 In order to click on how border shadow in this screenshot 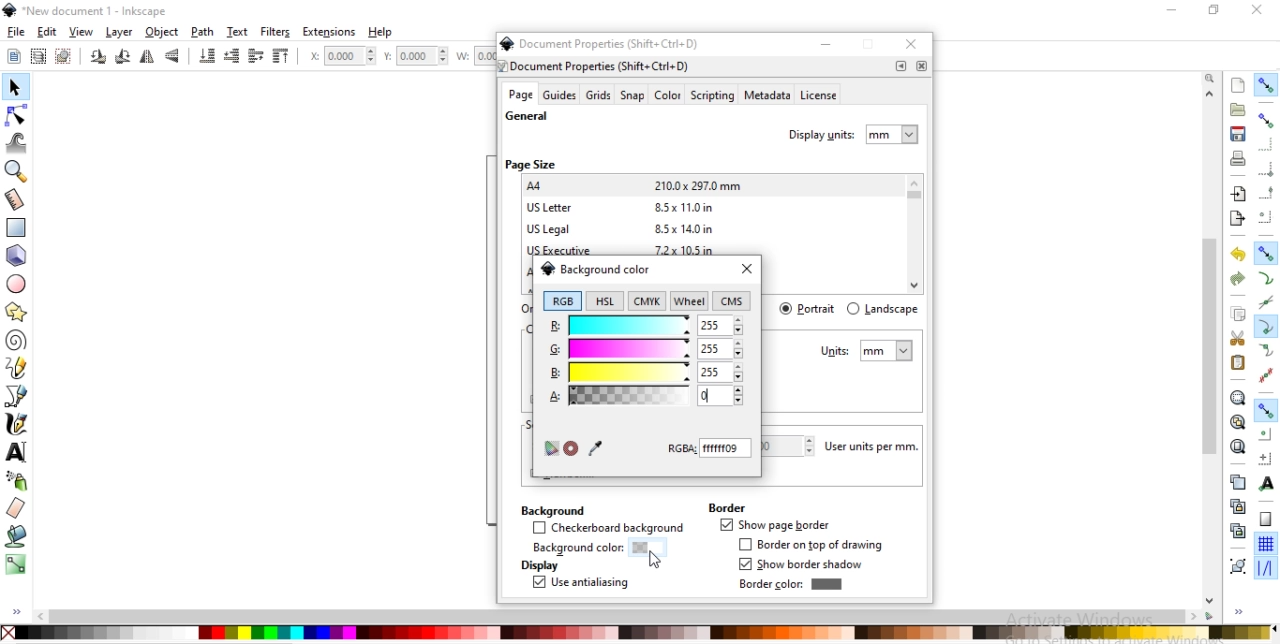, I will do `click(804, 565)`.